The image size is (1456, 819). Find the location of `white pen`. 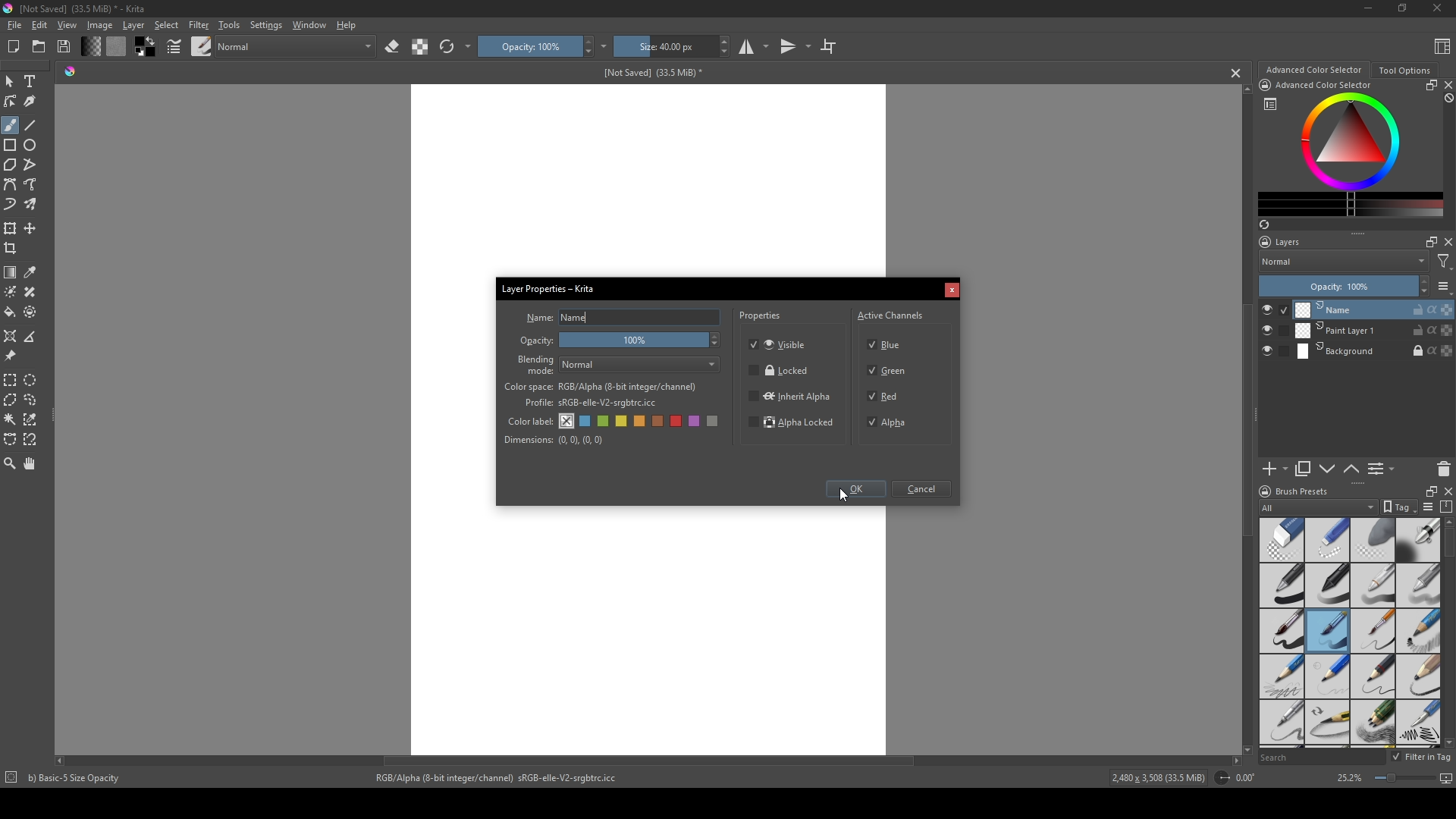

white pen is located at coordinates (1373, 585).